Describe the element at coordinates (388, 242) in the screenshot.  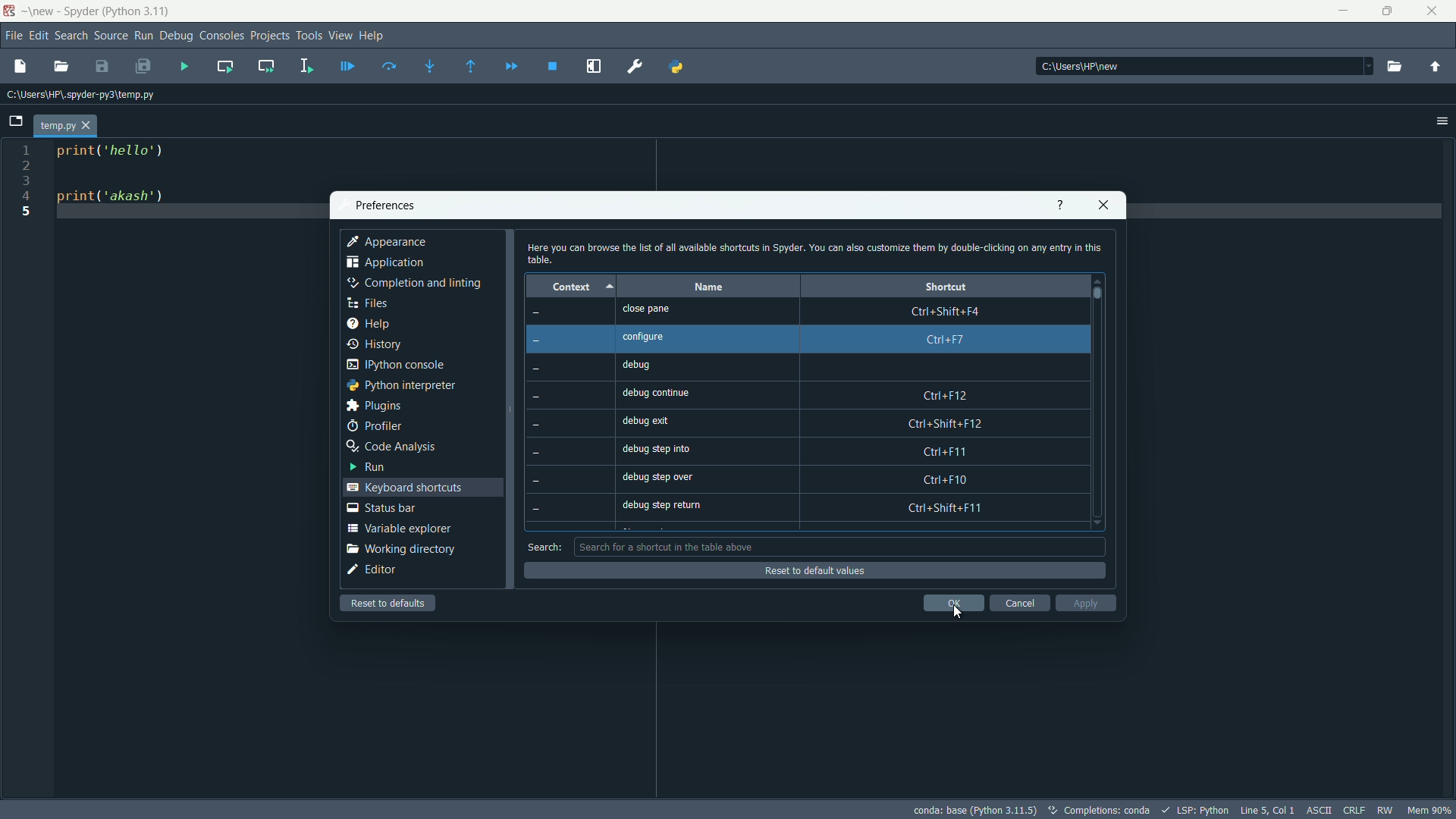
I see `appearance` at that location.